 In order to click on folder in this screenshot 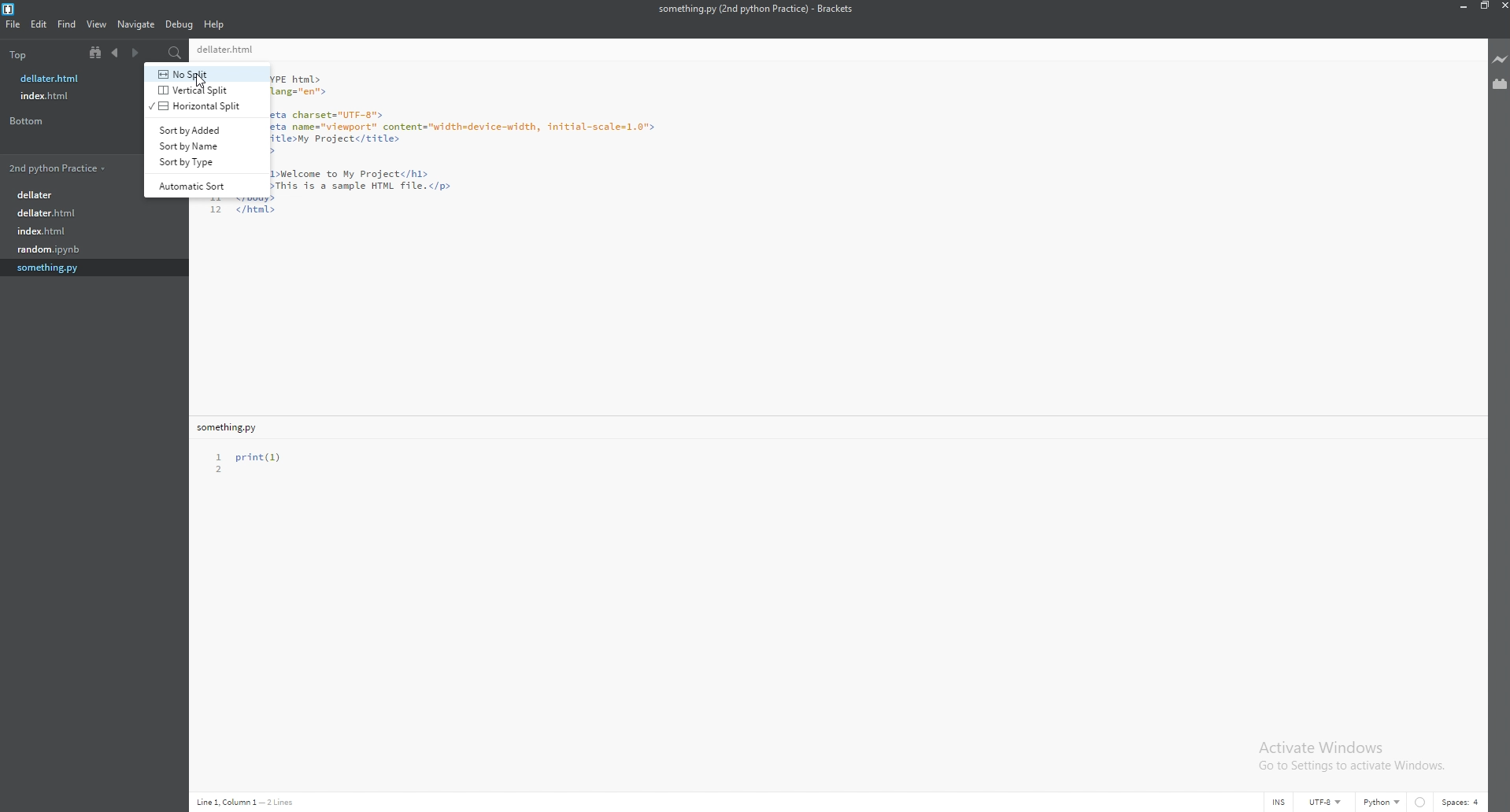, I will do `click(57, 167)`.